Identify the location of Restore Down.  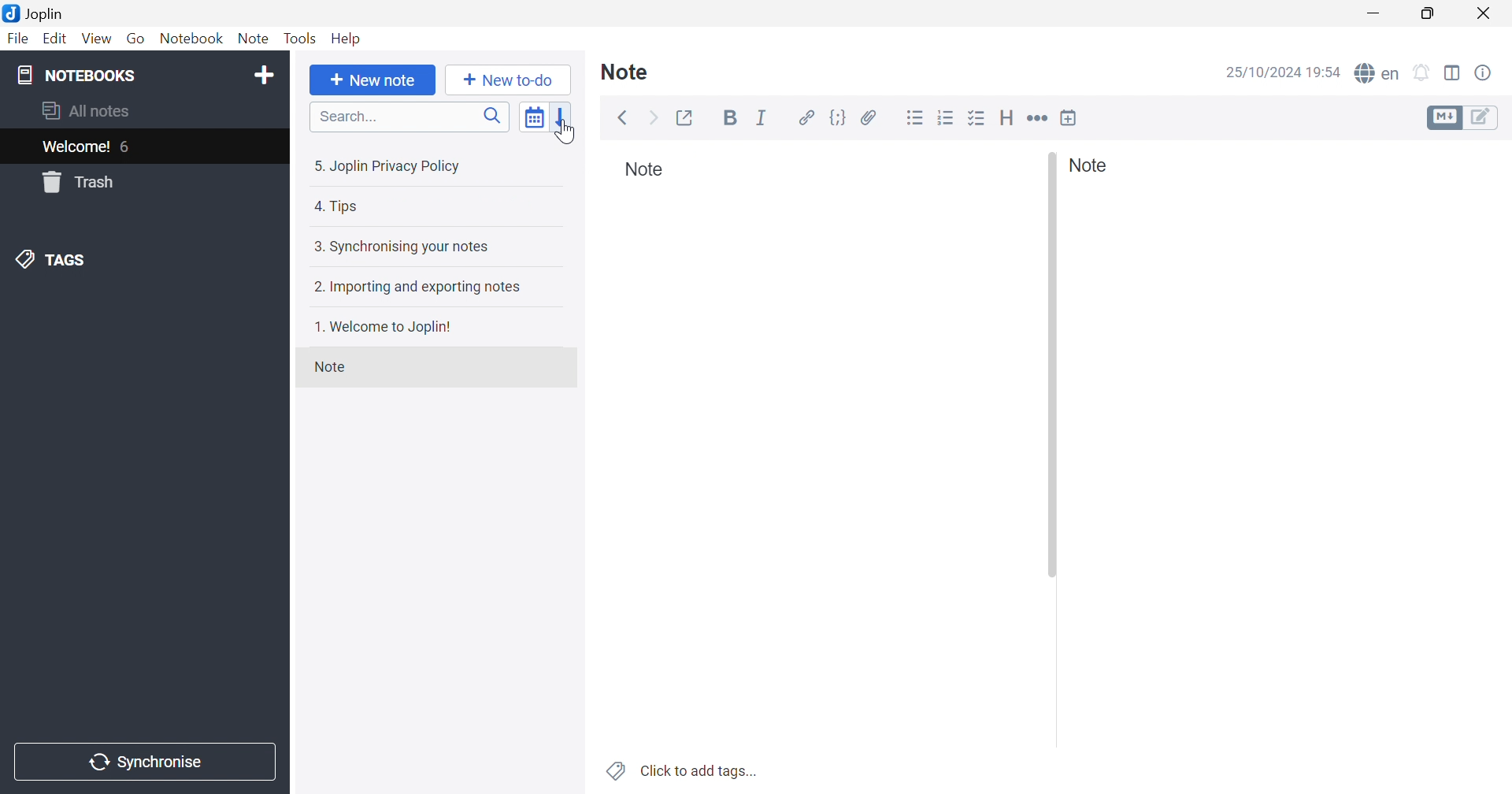
(1429, 15).